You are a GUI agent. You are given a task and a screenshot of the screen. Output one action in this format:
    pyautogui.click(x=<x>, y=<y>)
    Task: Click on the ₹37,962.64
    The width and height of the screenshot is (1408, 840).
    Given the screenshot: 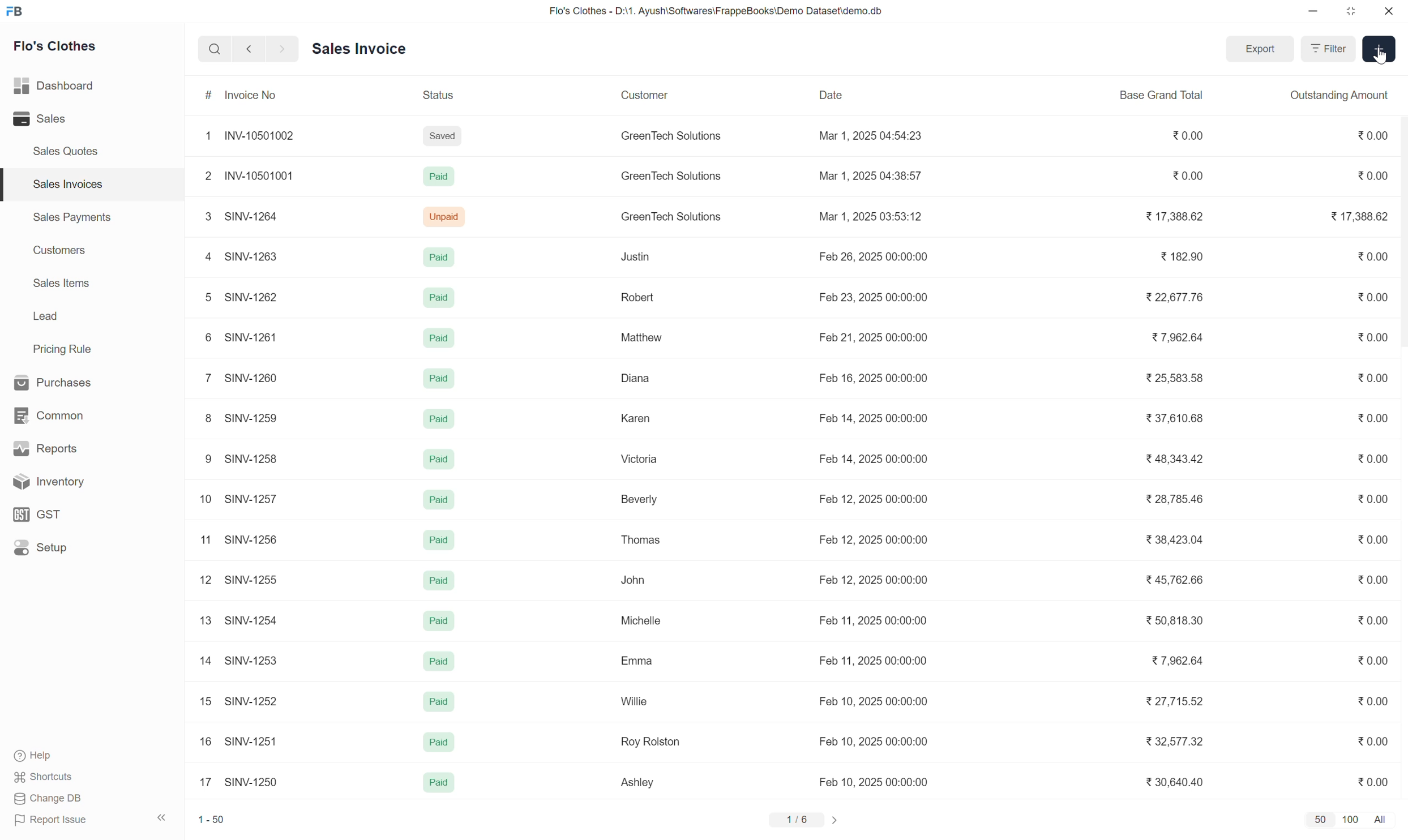 What is the action you would take?
    pyautogui.click(x=1172, y=665)
    